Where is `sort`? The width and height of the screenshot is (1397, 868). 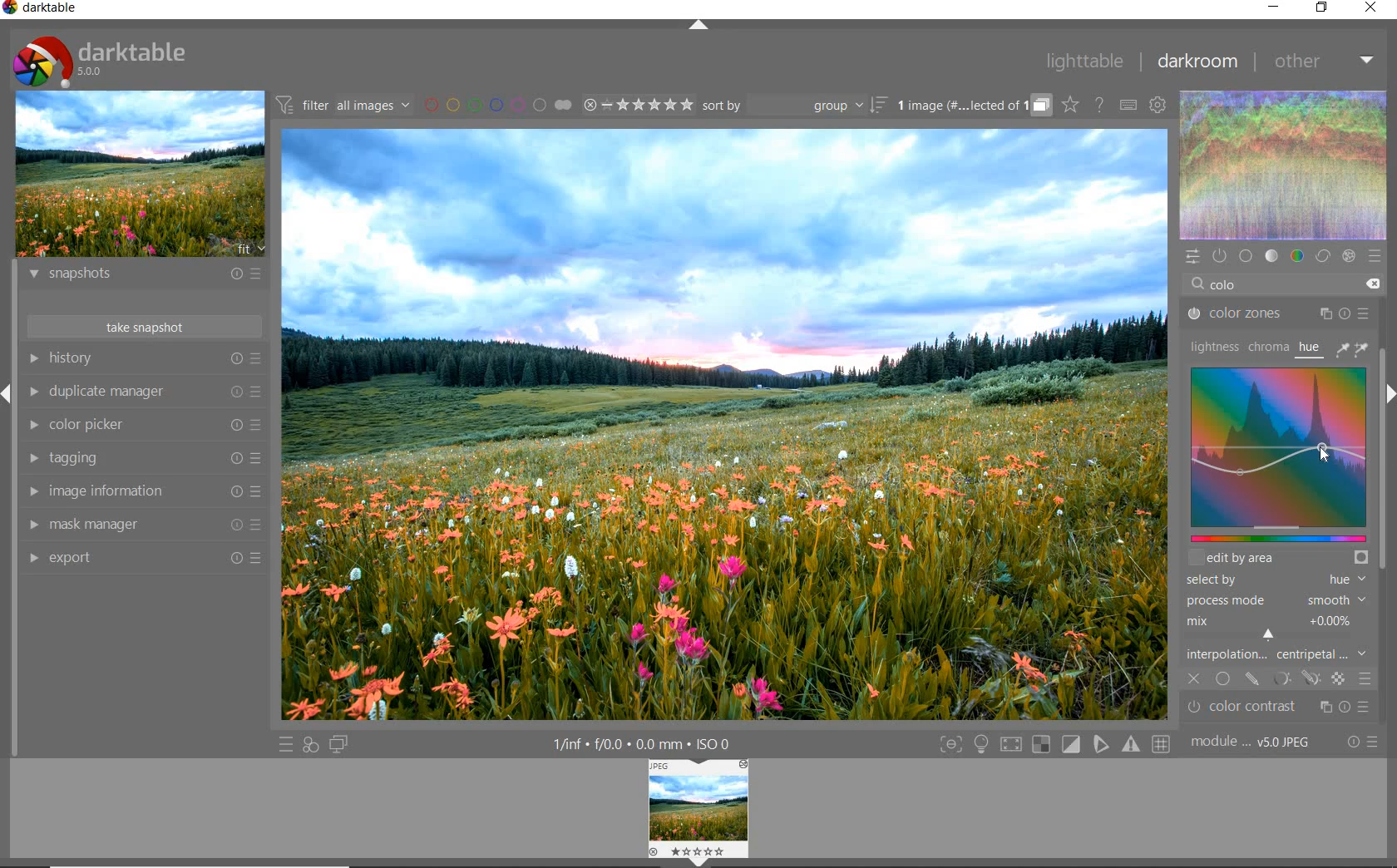
sort is located at coordinates (793, 107).